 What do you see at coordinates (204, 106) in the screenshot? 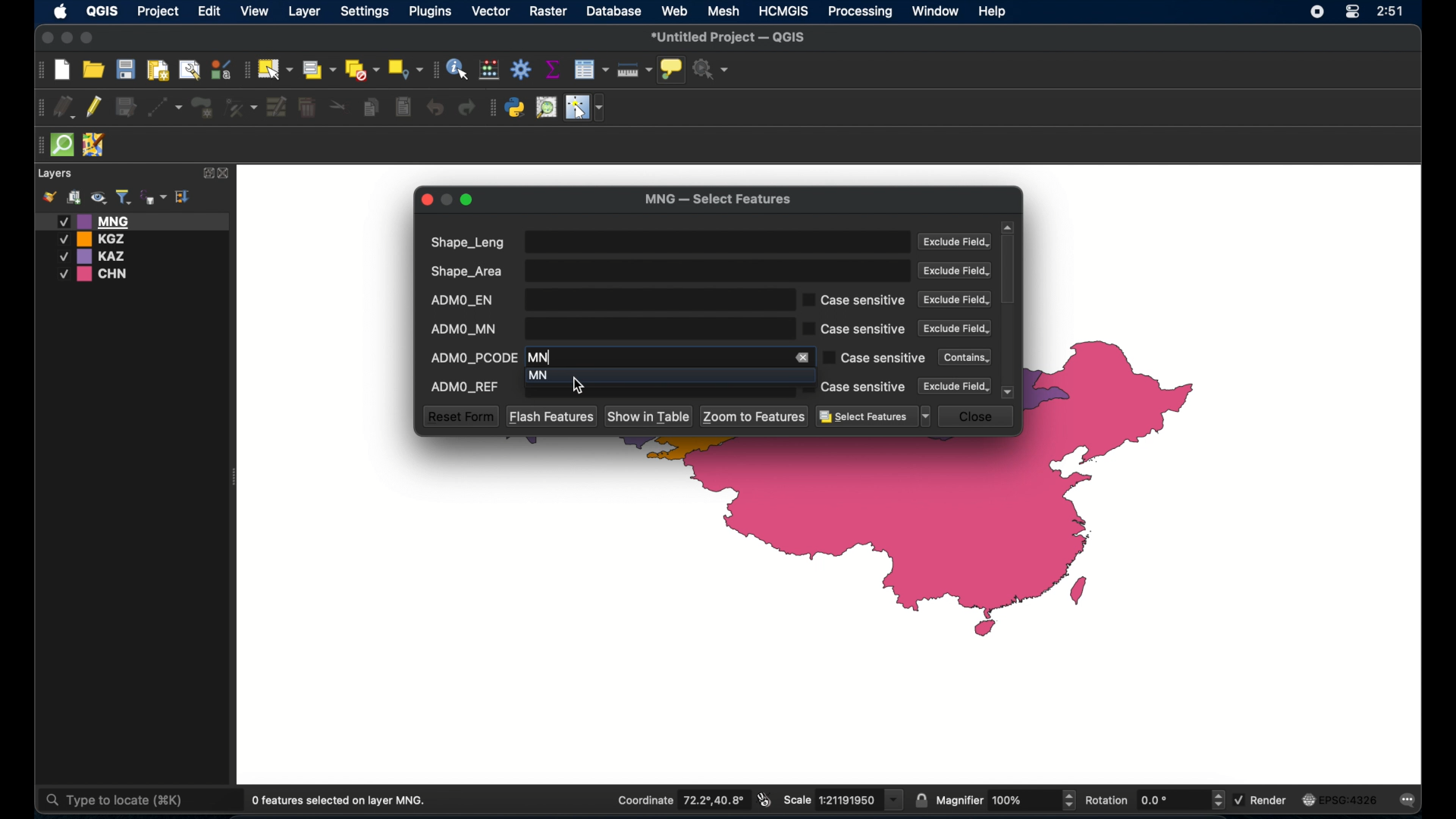
I see `add polygon feature` at bounding box center [204, 106].